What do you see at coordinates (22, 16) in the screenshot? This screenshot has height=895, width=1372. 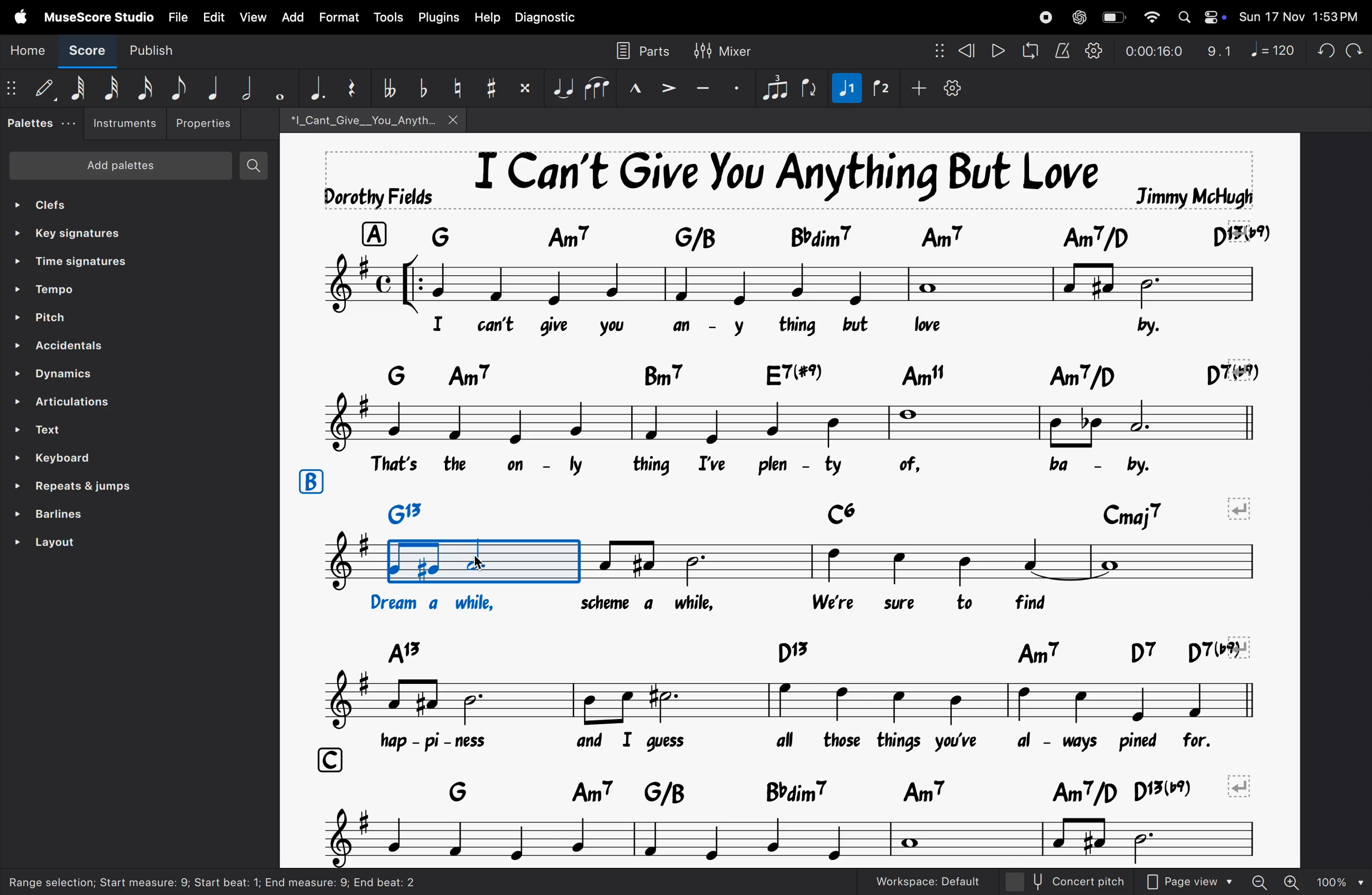 I see `Apple menu` at bounding box center [22, 16].